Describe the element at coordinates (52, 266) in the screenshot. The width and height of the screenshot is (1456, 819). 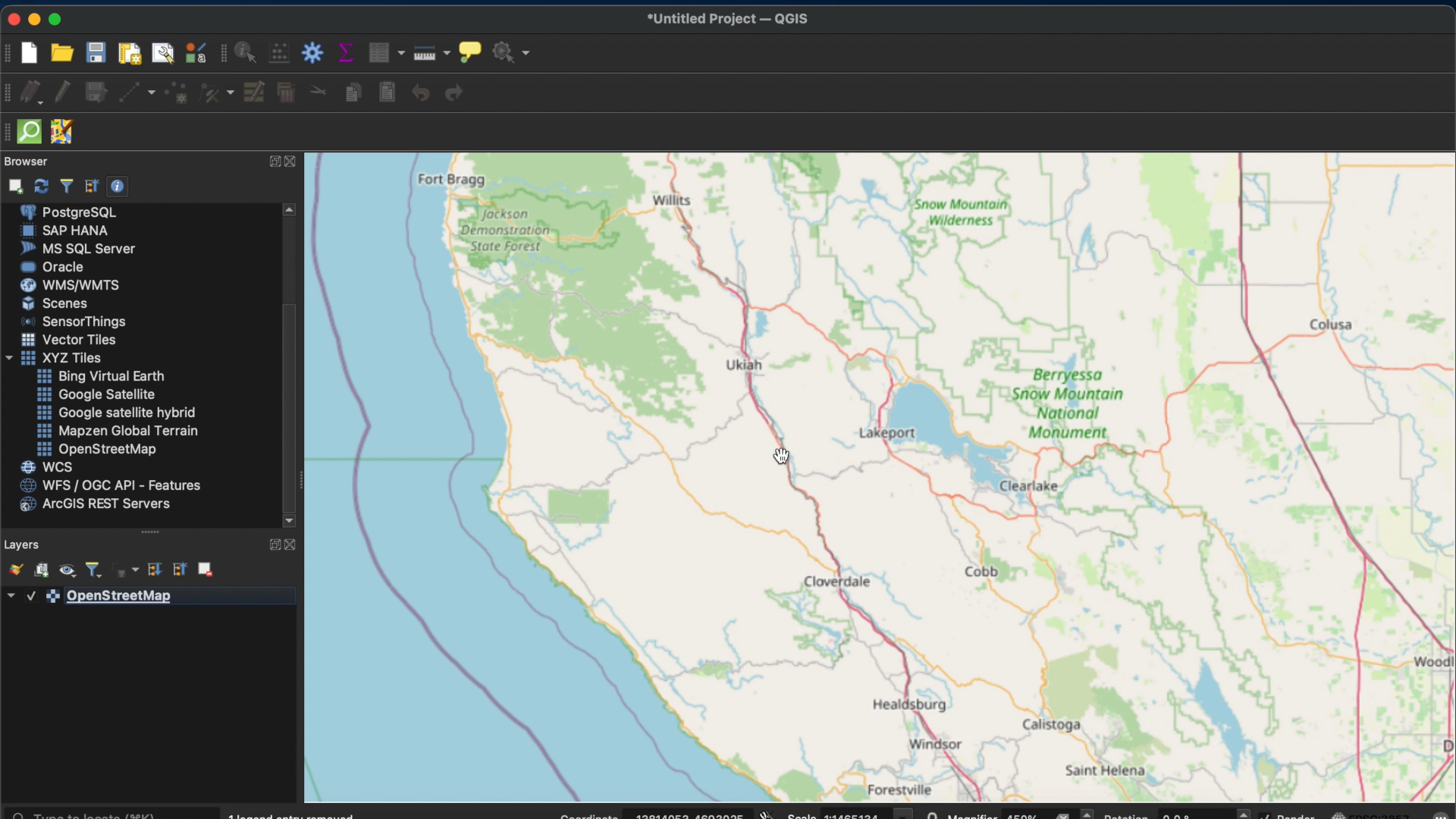
I see `oracle ` at that location.